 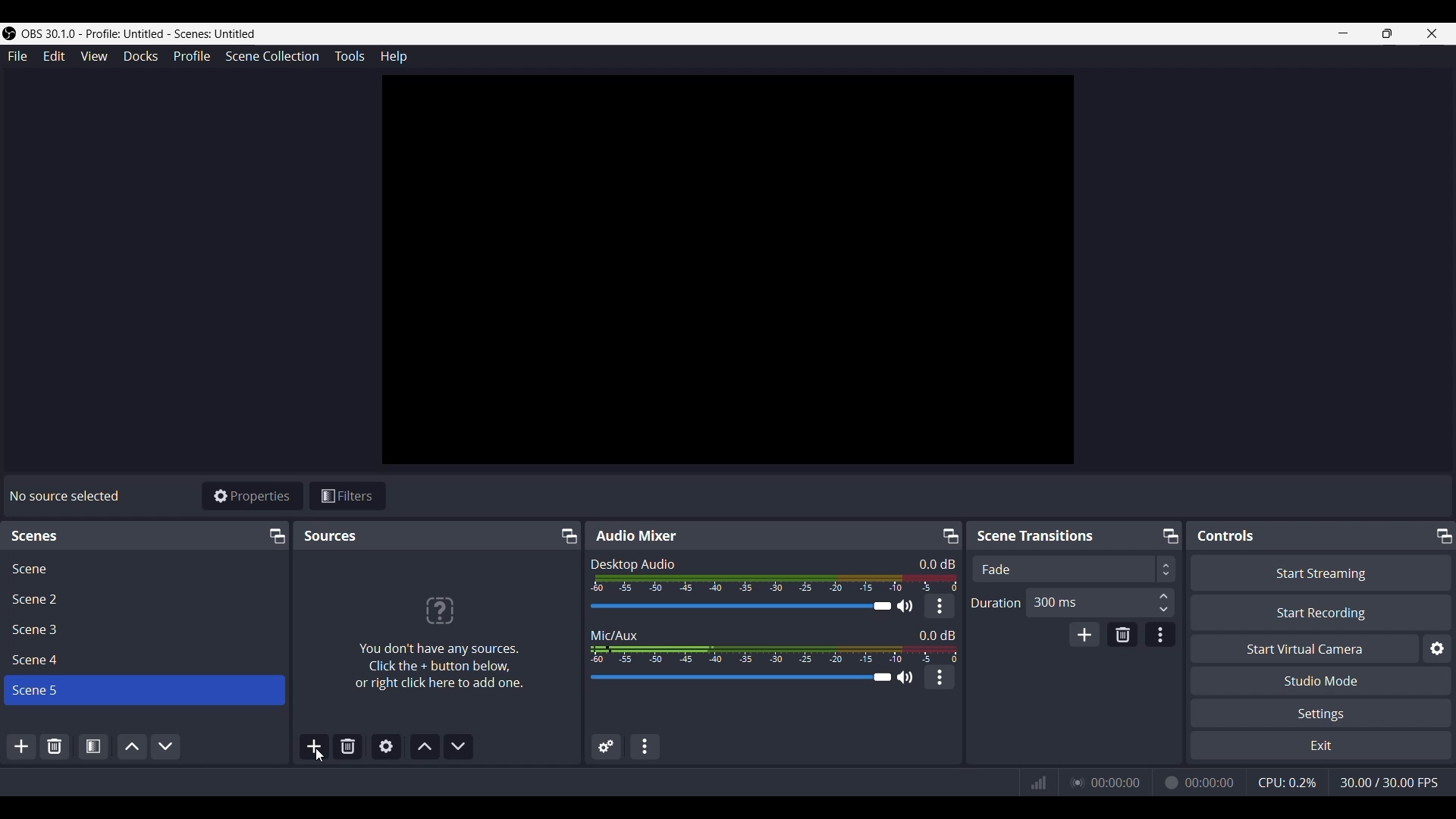 I want to click on Recording, so click(x=1169, y=782).